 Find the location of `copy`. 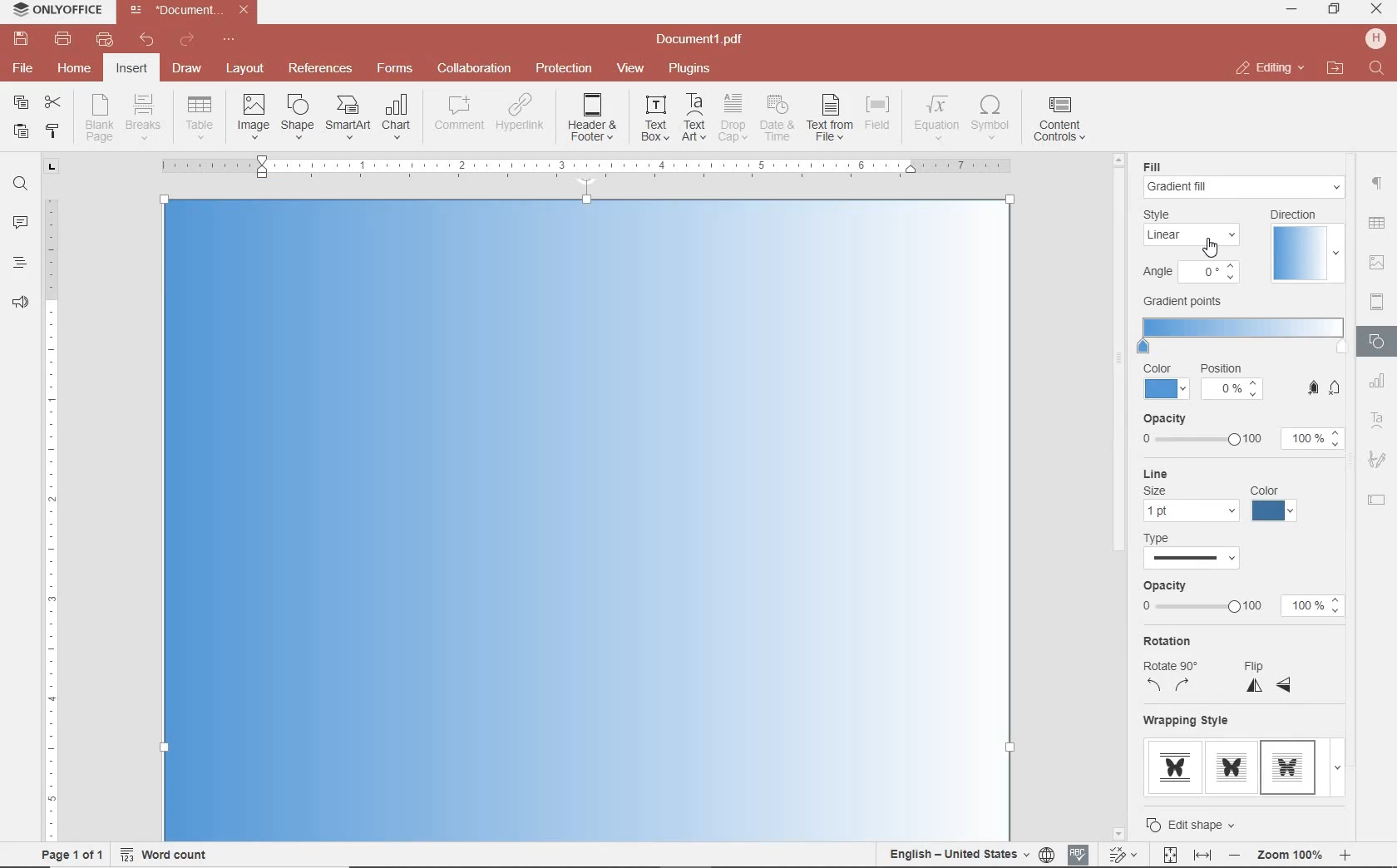

copy is located at coordinates (21, 104).